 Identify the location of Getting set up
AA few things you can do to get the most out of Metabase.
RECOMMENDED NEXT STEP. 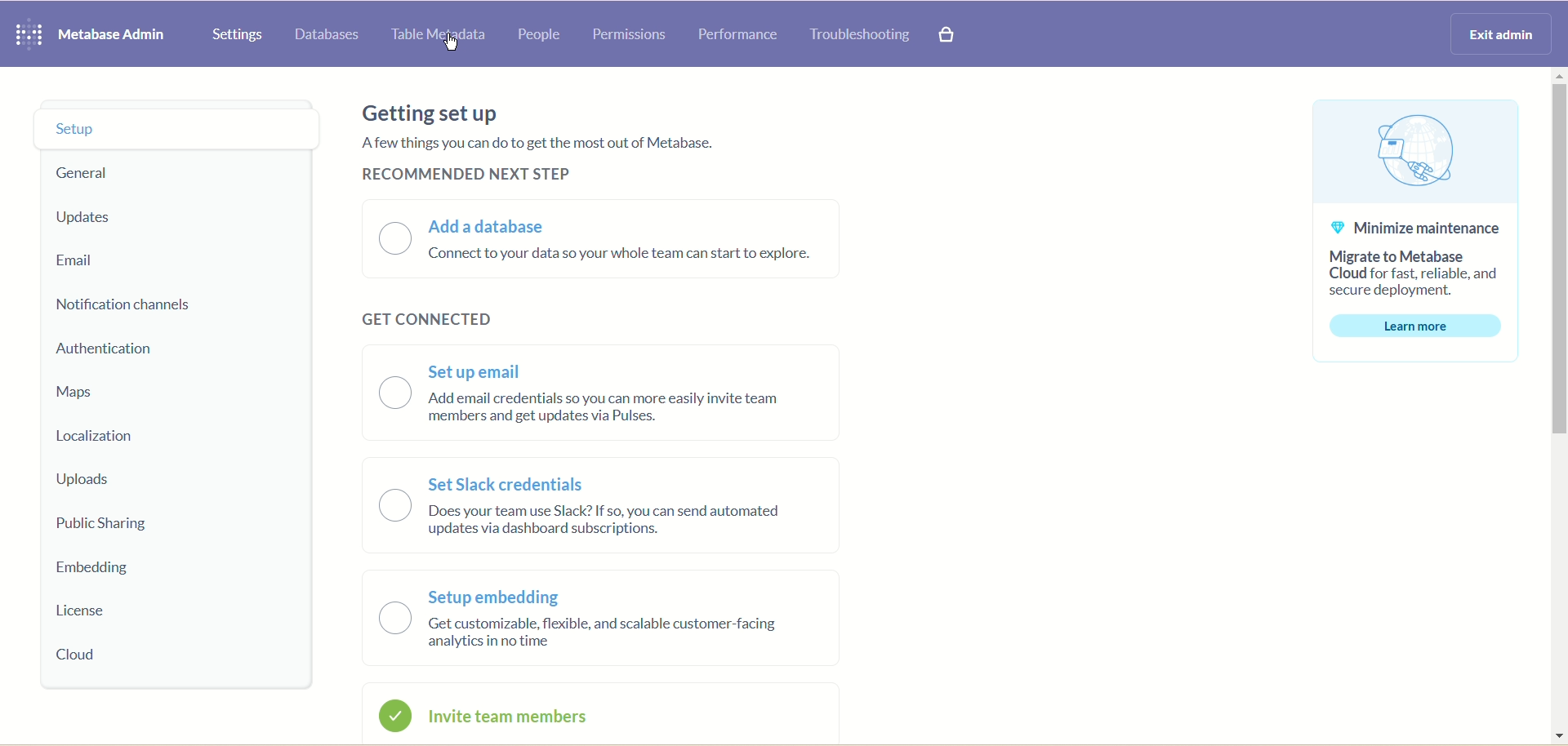
(535, 140).